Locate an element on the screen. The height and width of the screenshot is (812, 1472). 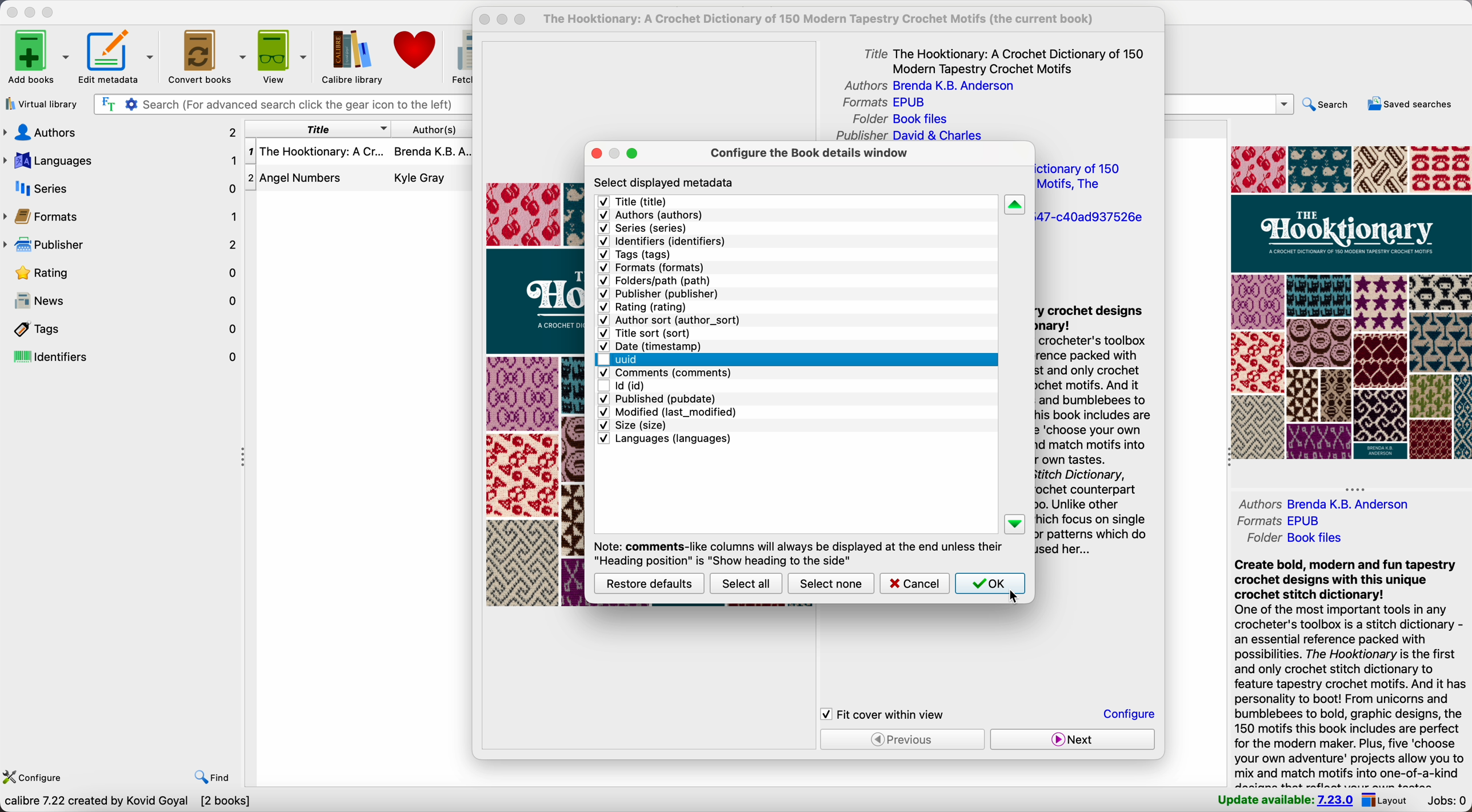
author(s) is located at coordinates (433, 129).